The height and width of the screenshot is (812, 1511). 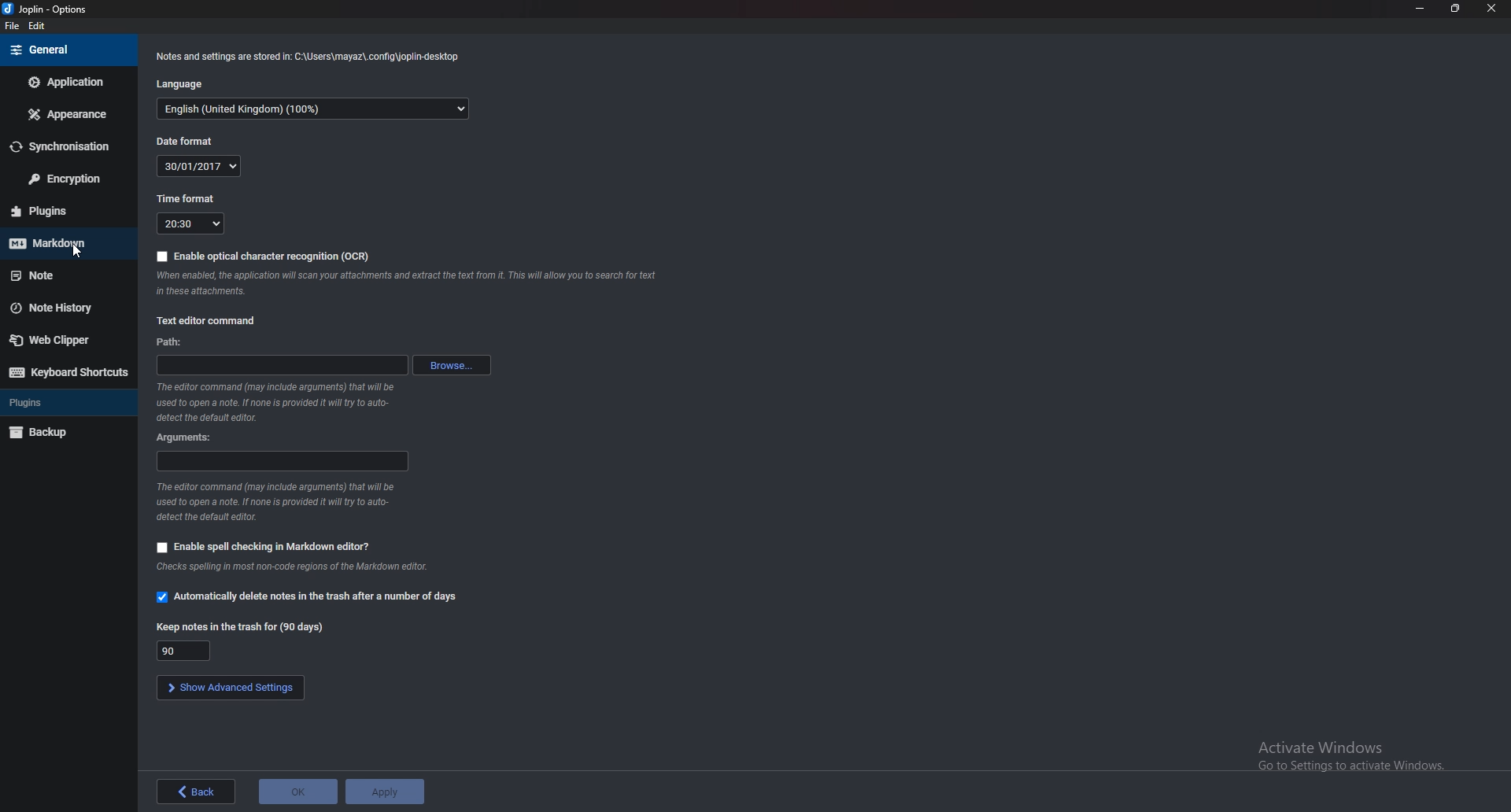 What do you see at coordinates (198, 792) in the screenshot?
I see `back` at bounding box center [198, 792].